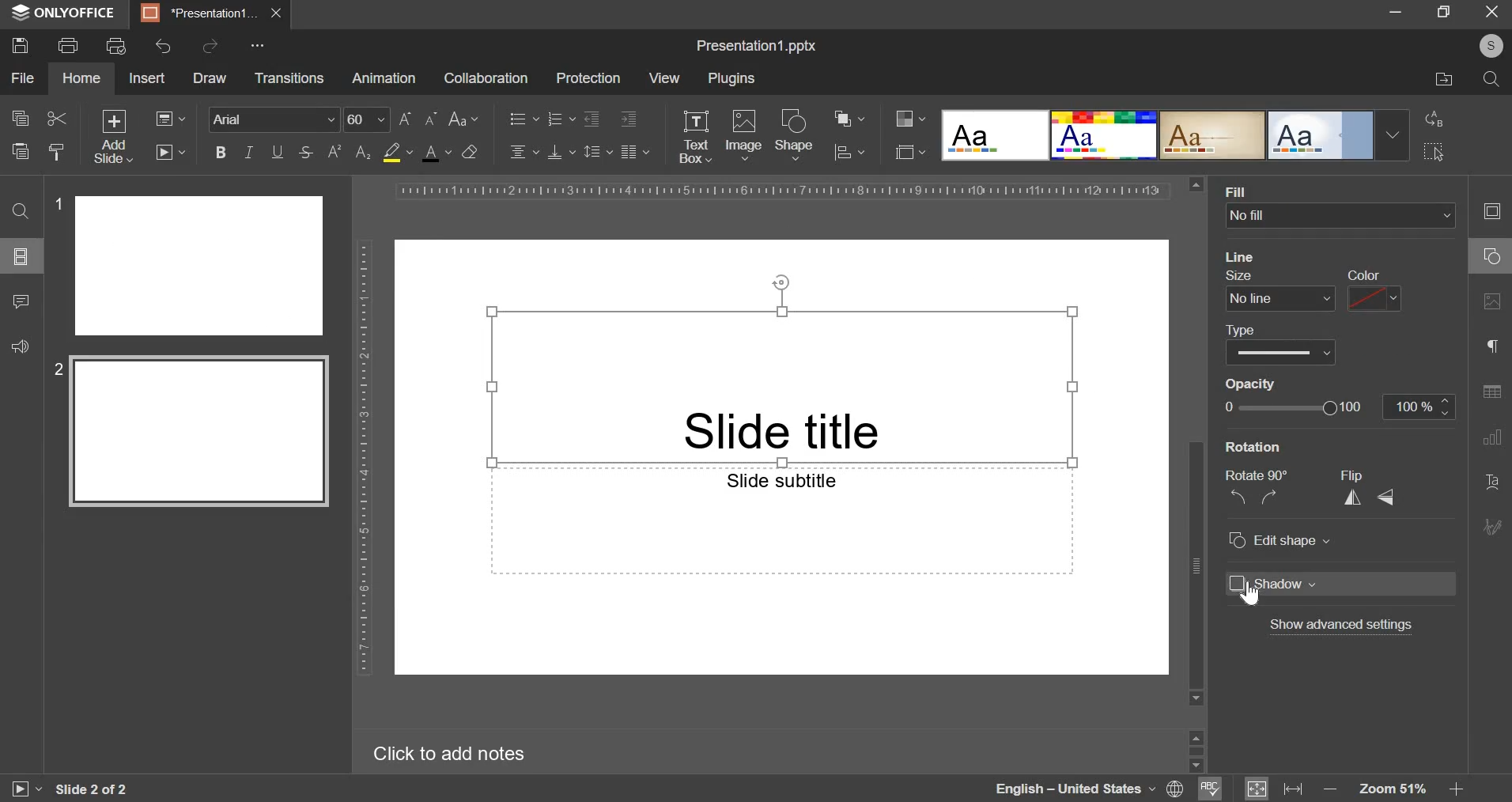 The image size is (1512, 802). Describe the element at coordinates (391, 119) in the screenshot. I see `font size` at that location.